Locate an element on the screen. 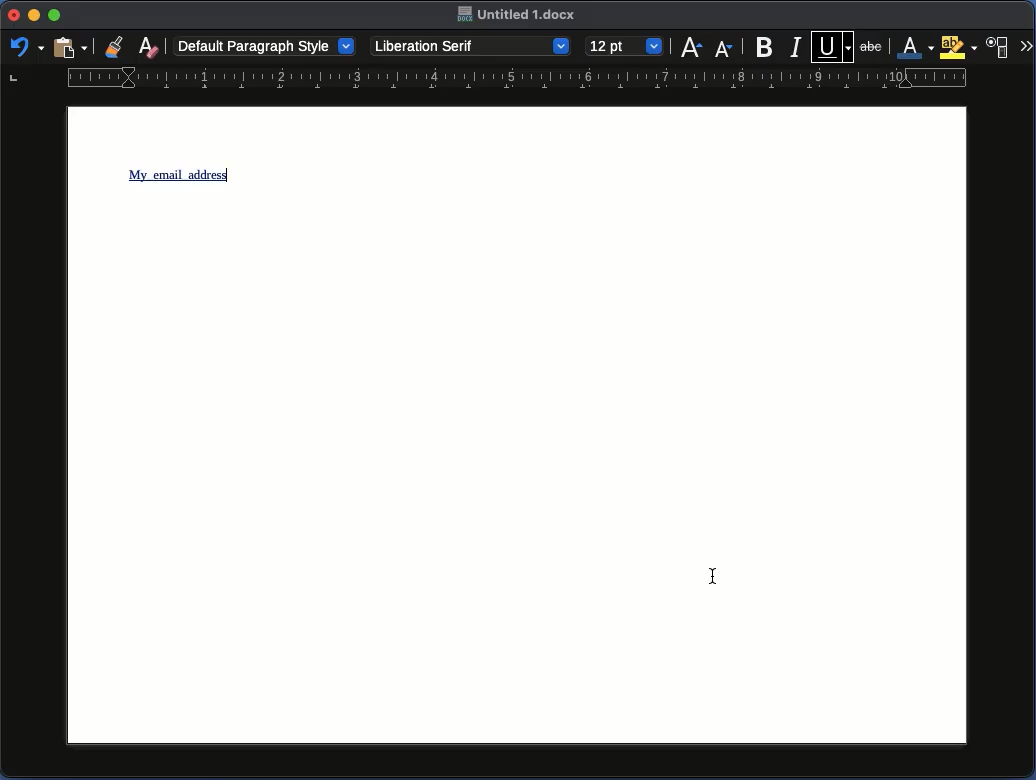 This screenshot has width=1036, height=780. Default paragraph style is located at coordinates (265, 45).